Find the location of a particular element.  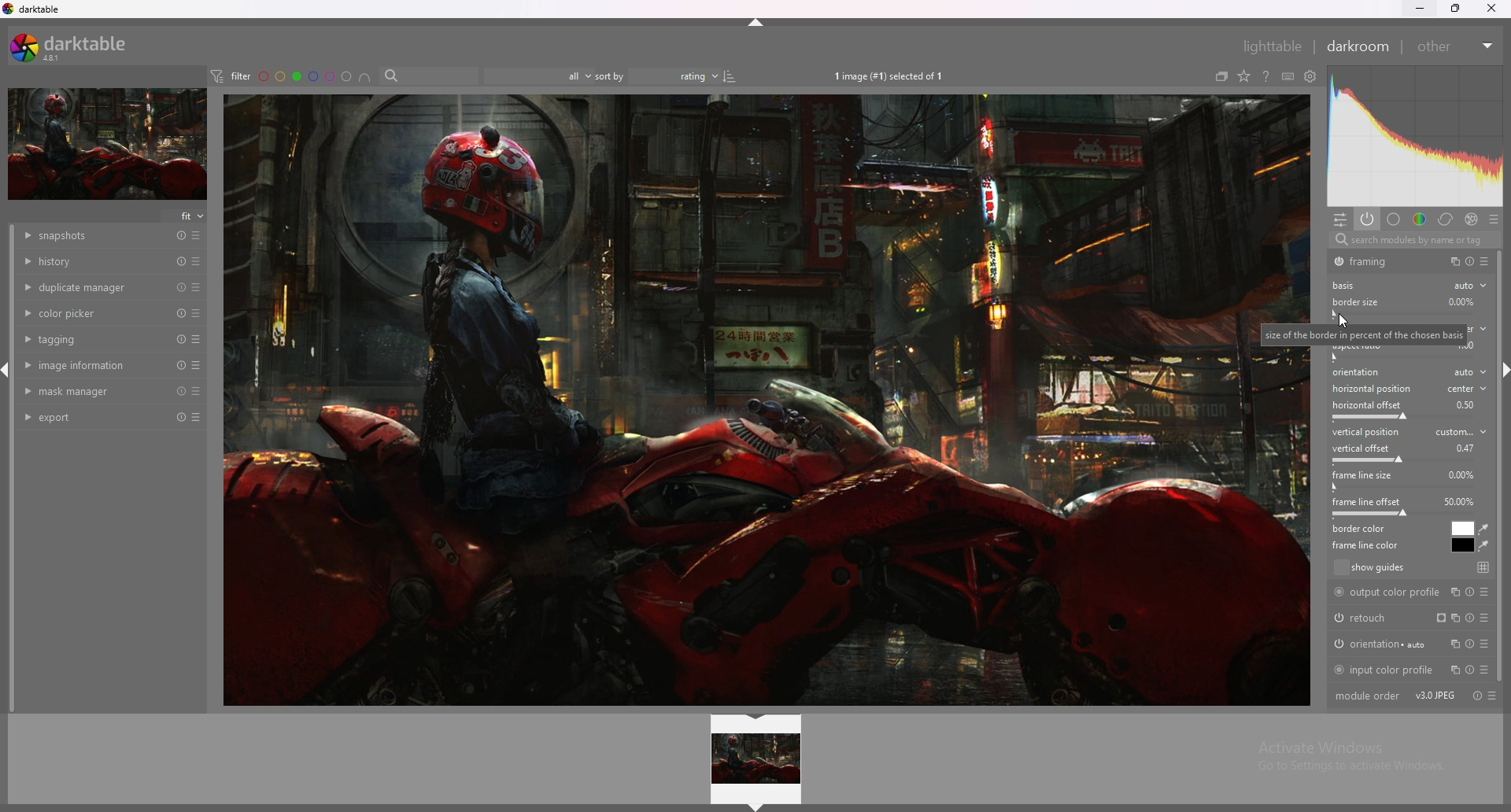

cursor is located at coordinates (1343, 321).